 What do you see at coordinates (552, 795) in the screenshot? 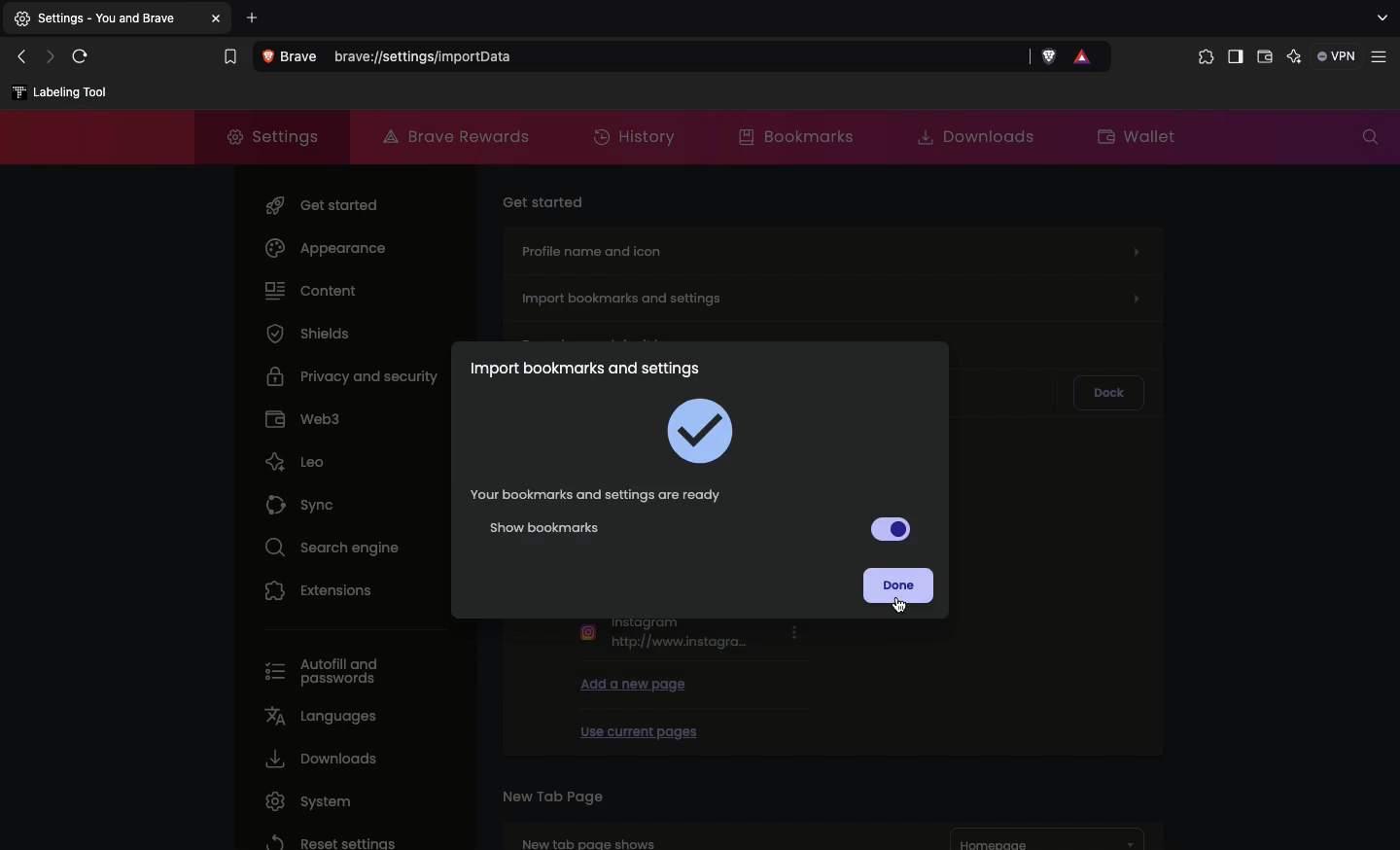
I see `New tab page` at bounding box center [552, 795].